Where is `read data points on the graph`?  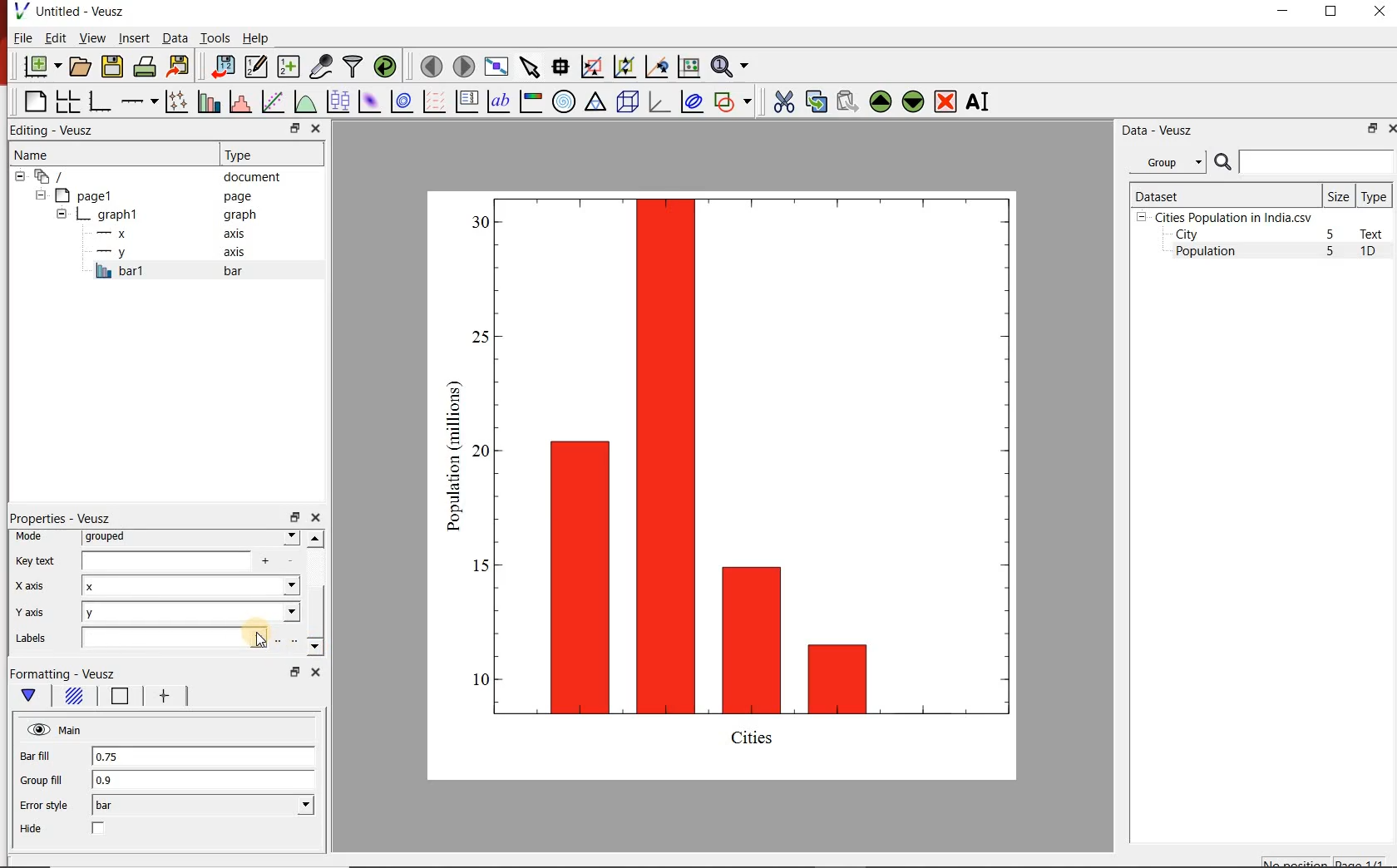
read data points on the graph is located at coordinates (560, 65).